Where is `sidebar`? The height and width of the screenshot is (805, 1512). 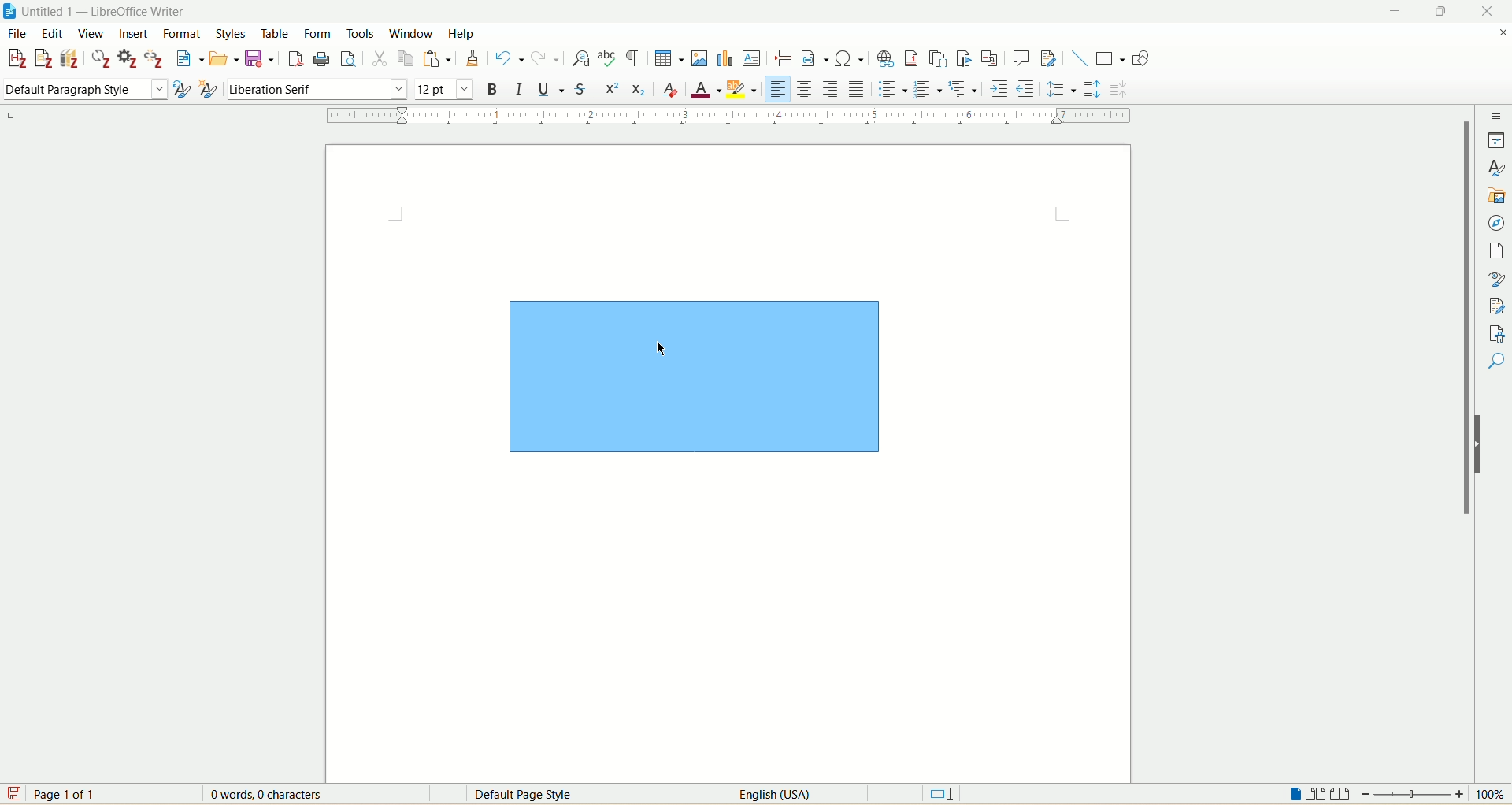 sidebar is located at coordinates (1499, 118).